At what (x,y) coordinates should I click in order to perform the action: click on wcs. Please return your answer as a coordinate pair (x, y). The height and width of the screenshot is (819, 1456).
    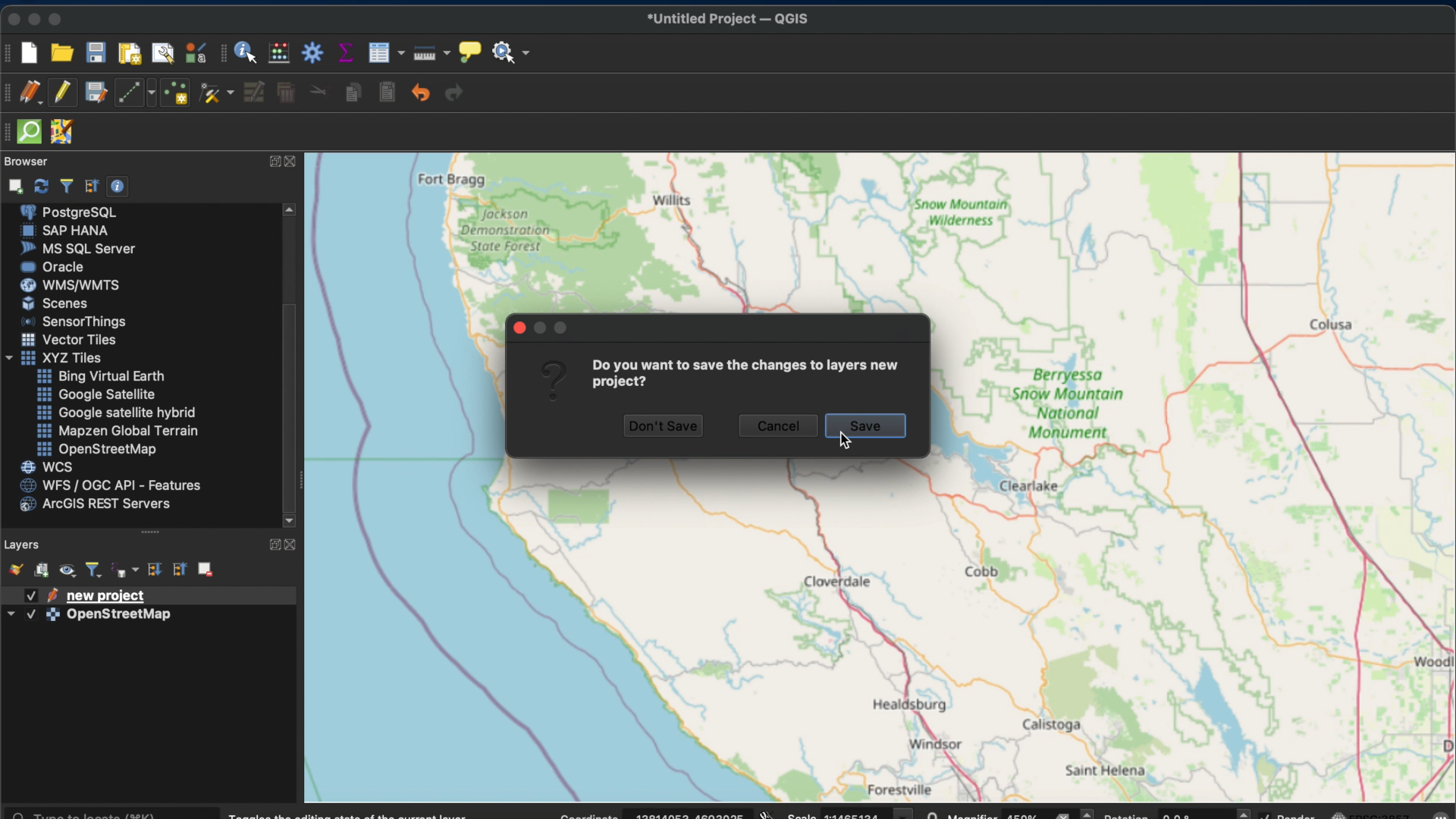
    Looking at the image, I should click on (46, 466).